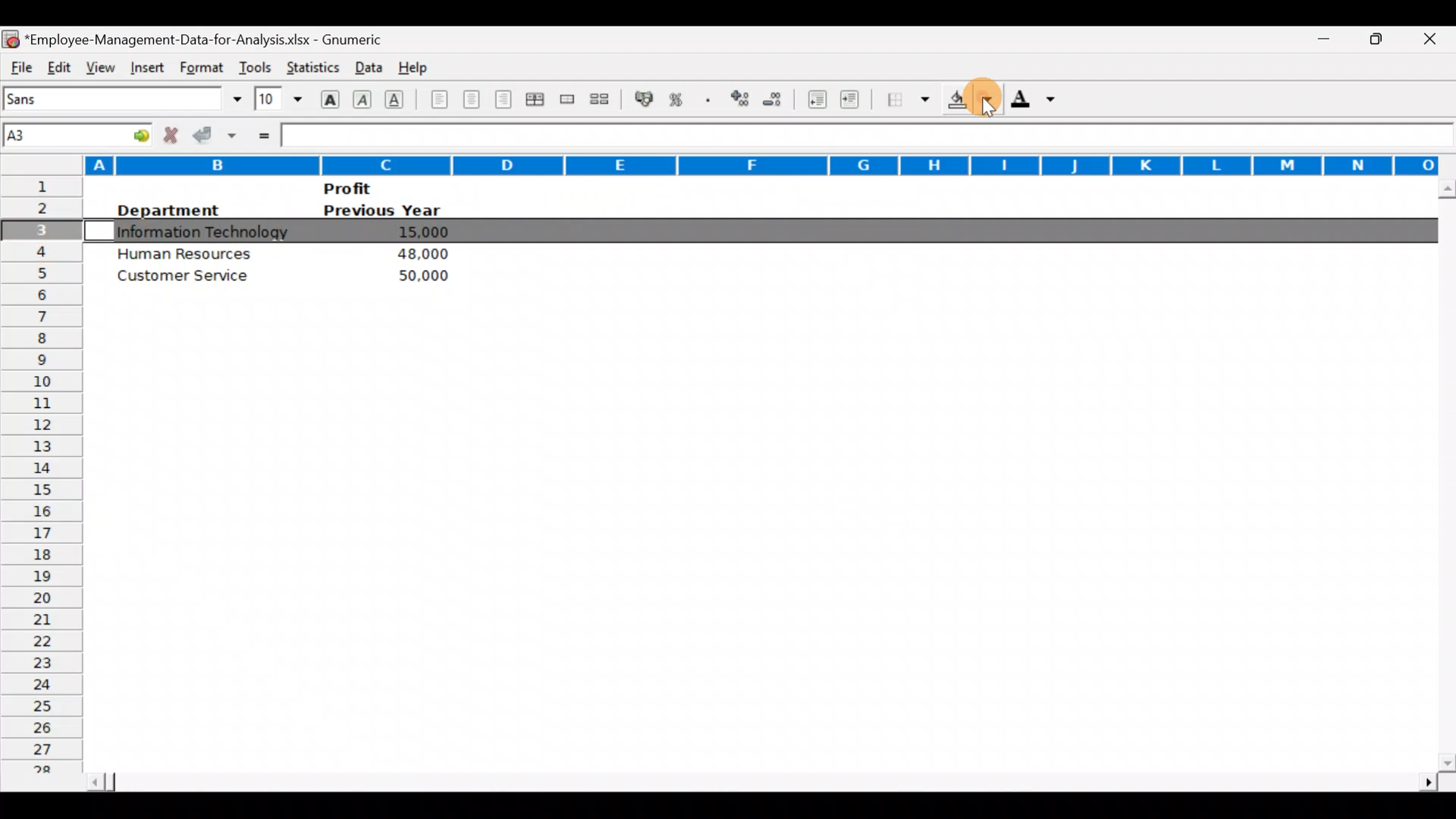 This screenshot has width=1456, height=819. I want to click on Increase indent, align contents to the right, so click(852, 101).